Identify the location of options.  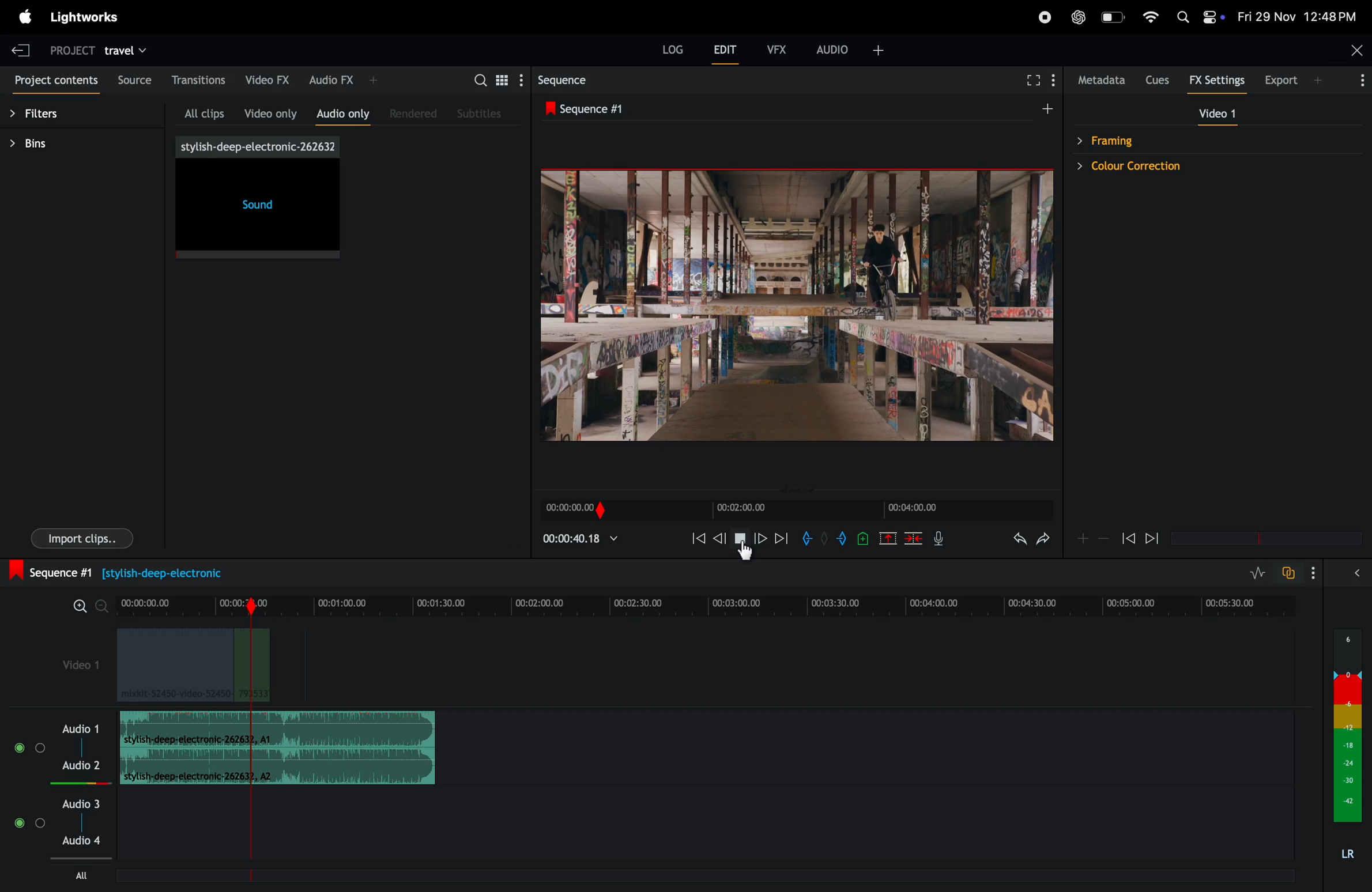
(1357, 82).